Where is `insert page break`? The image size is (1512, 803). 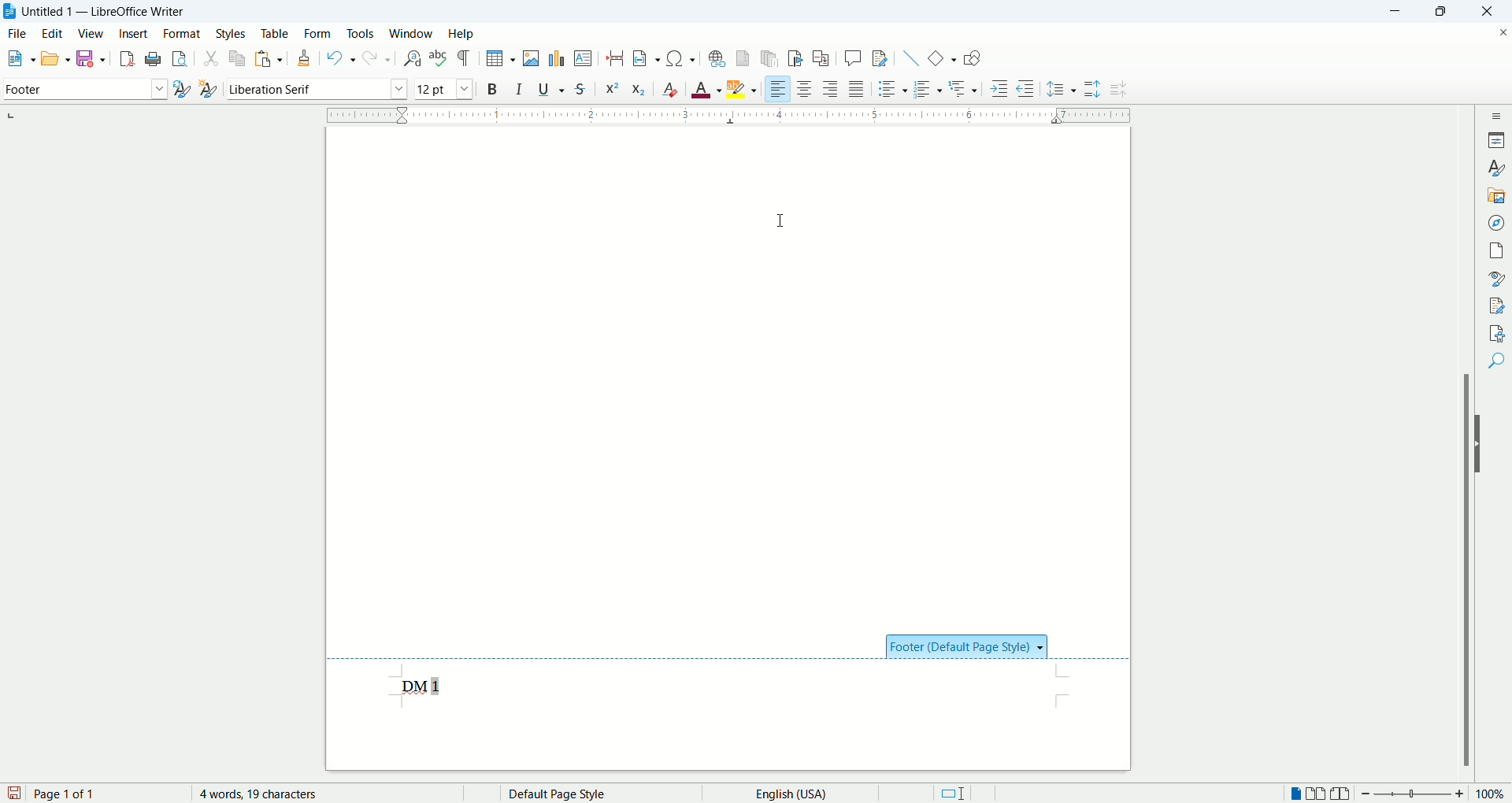 insert page break is located at coordinates (617, 58).